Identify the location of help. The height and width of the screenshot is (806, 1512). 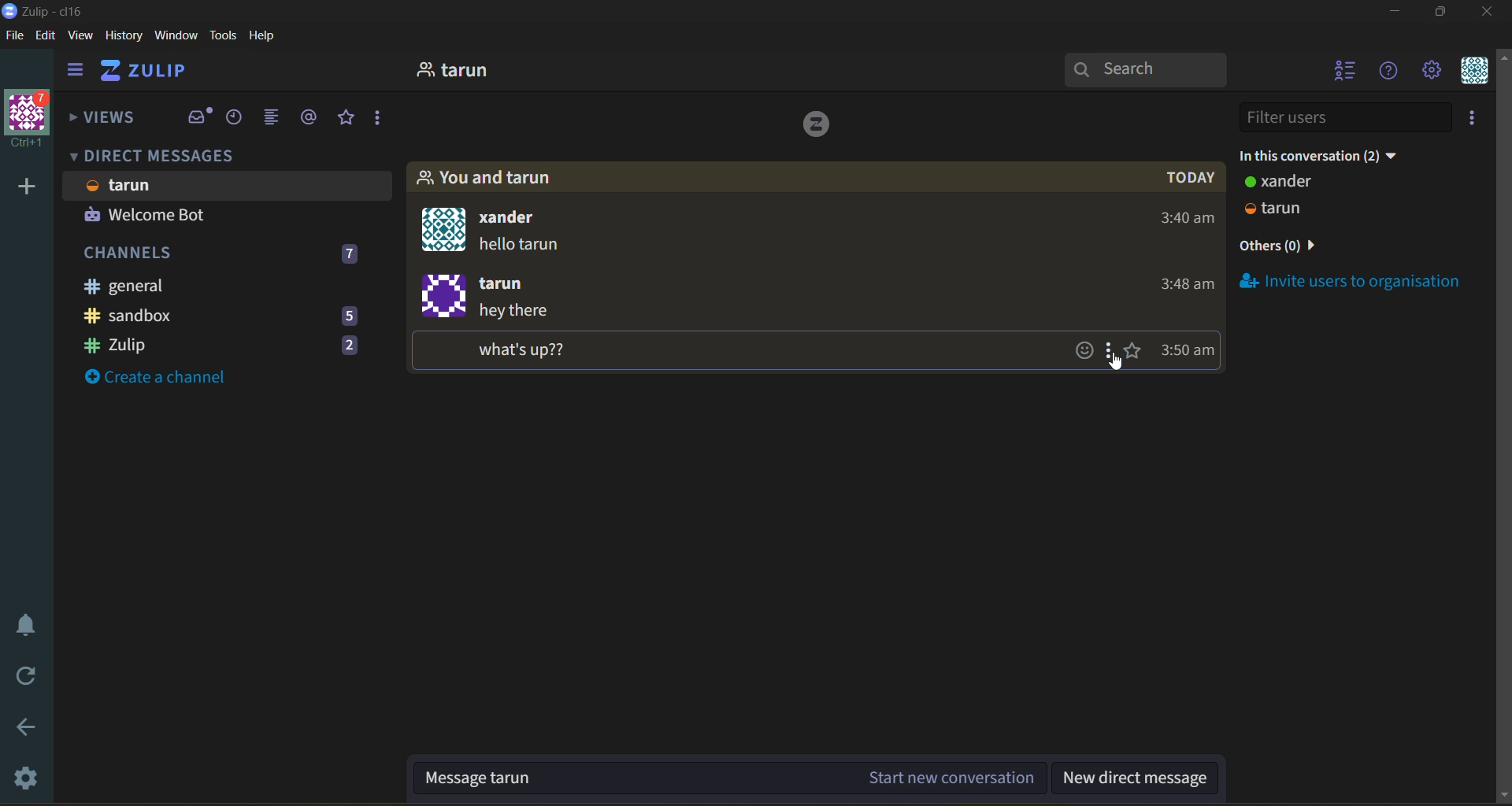
(268, 38).